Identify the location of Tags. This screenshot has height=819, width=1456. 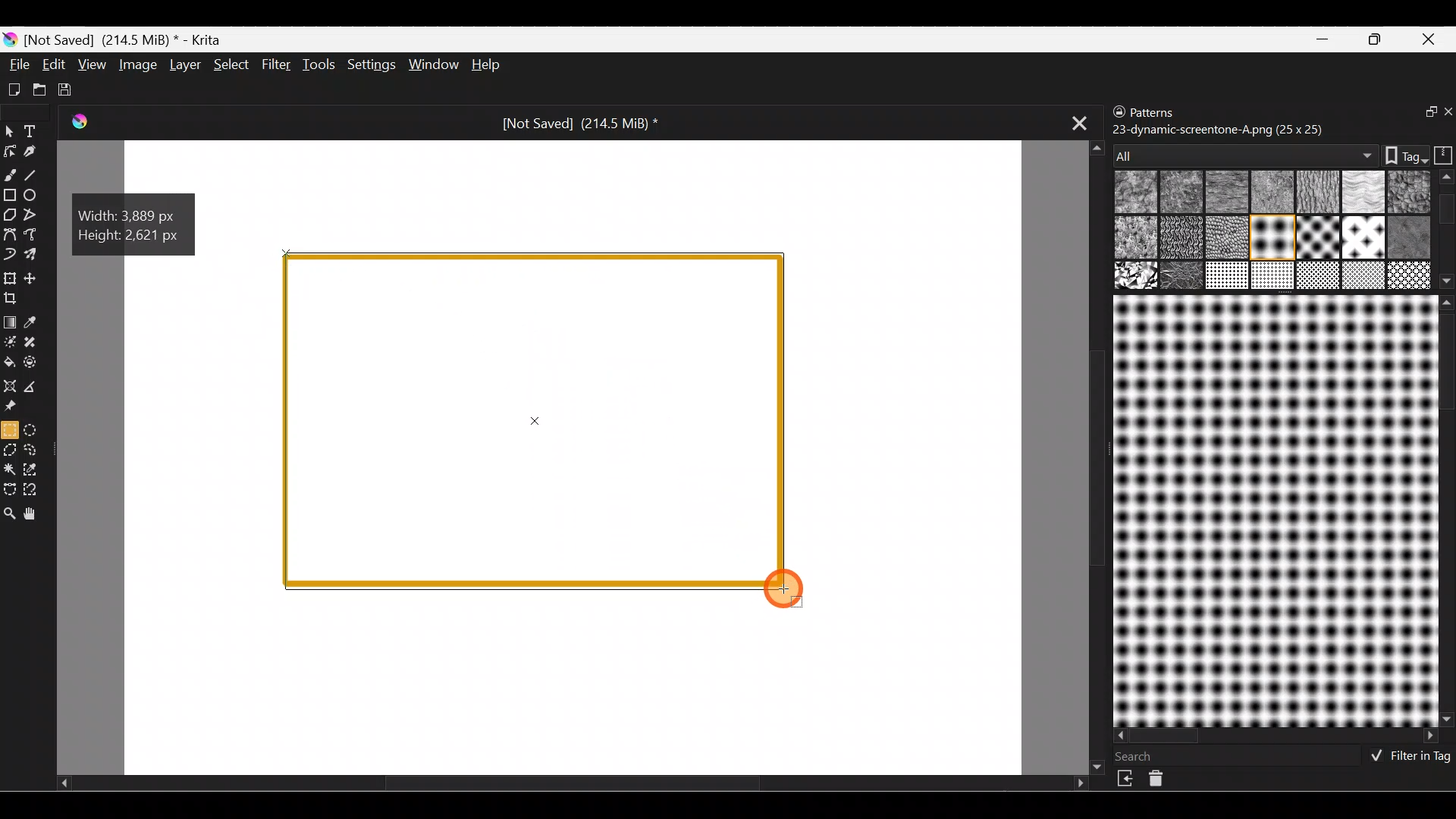
(1398, 154).